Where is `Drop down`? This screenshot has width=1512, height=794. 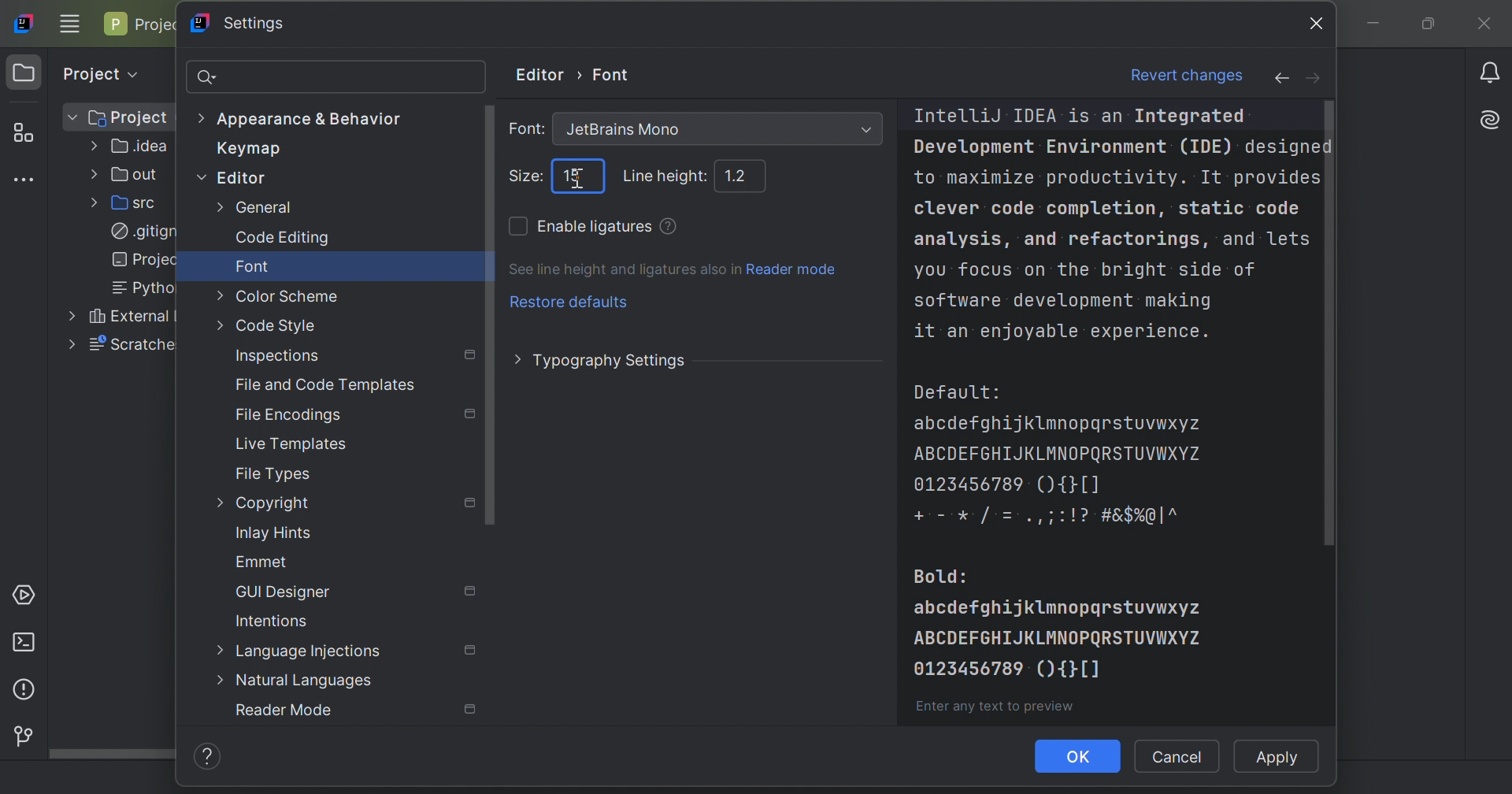 Drop down is located at coordinates (865, 129).